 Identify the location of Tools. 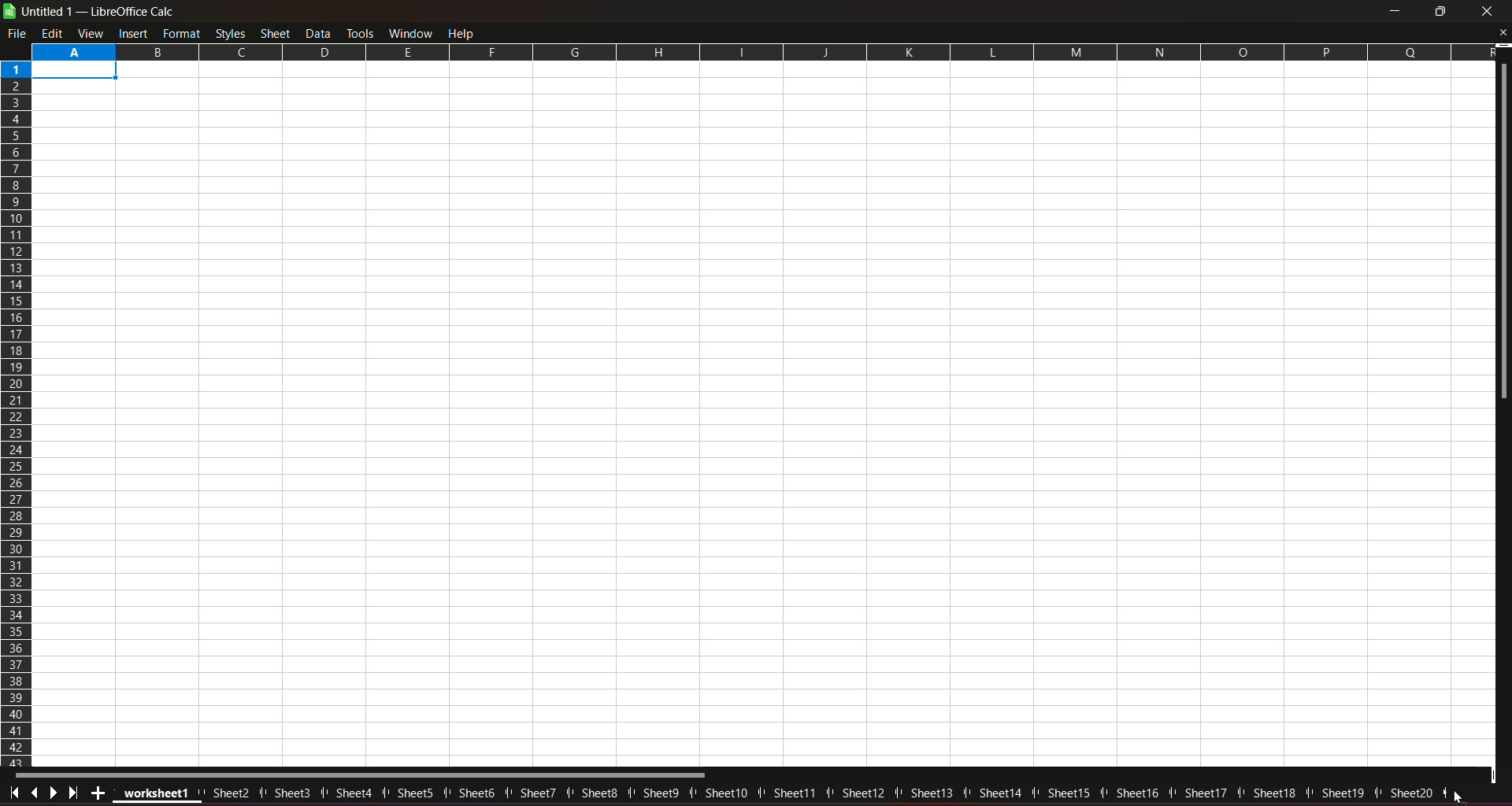
(359, 31).